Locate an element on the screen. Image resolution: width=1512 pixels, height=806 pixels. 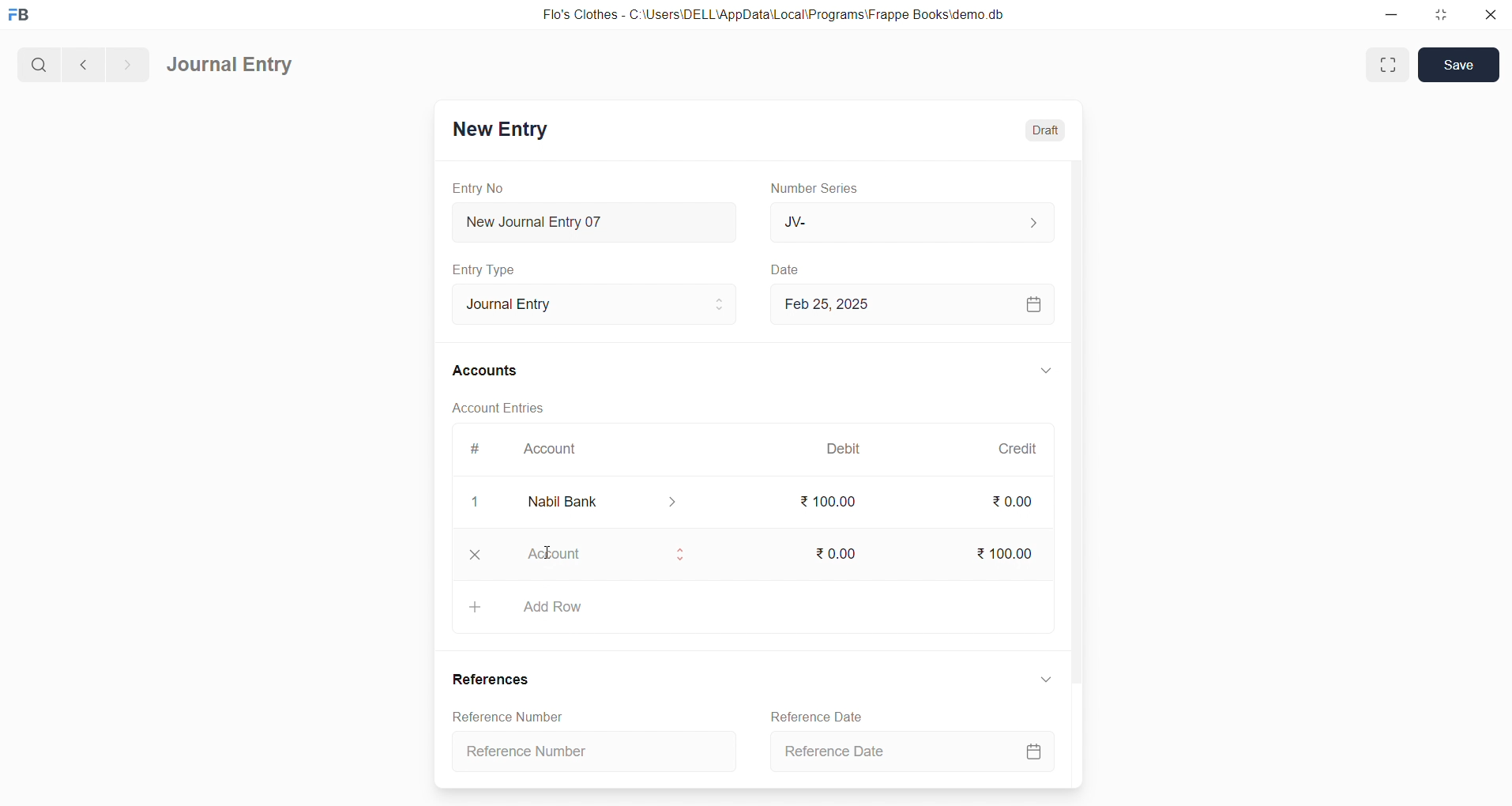
₹ 100.00 is located at coordinates (833, 503).